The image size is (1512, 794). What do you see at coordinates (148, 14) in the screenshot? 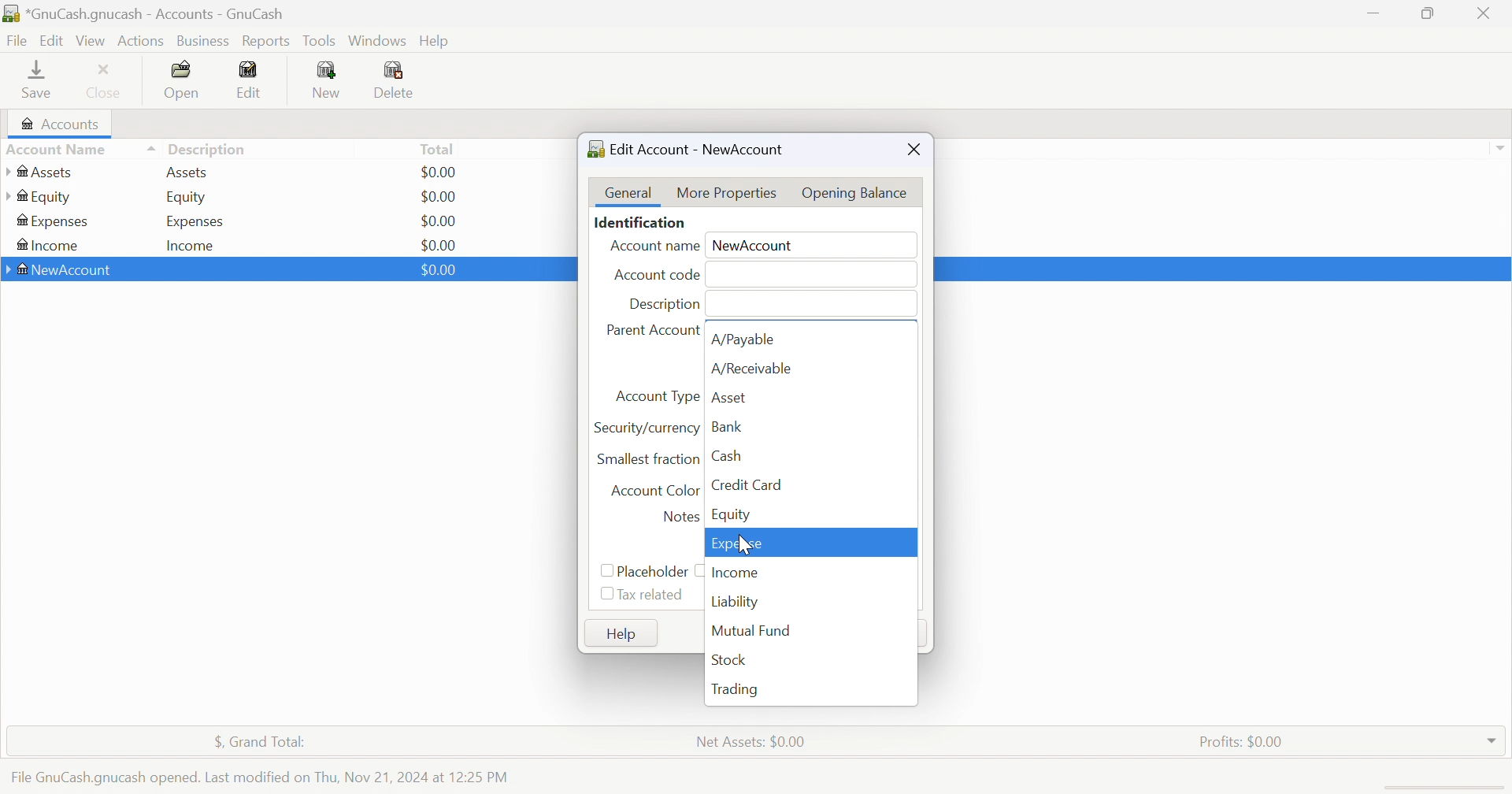
I see `*GnuCash.gnucash - Accounts -GnuCash` at bounding box center [148, 14].